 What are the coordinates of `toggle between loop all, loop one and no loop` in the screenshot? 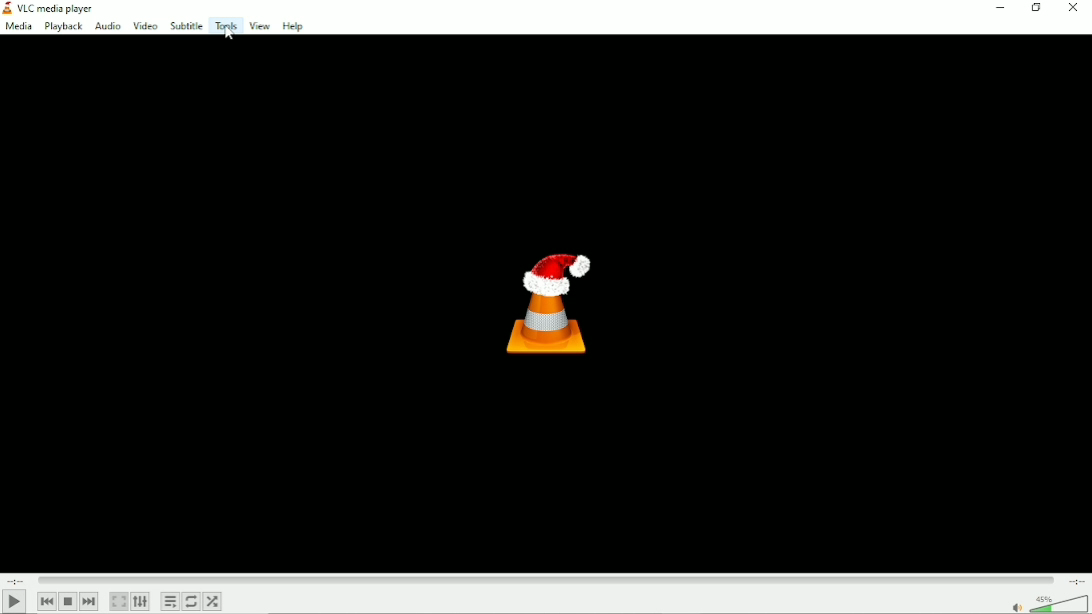 It's located at (193, 601).